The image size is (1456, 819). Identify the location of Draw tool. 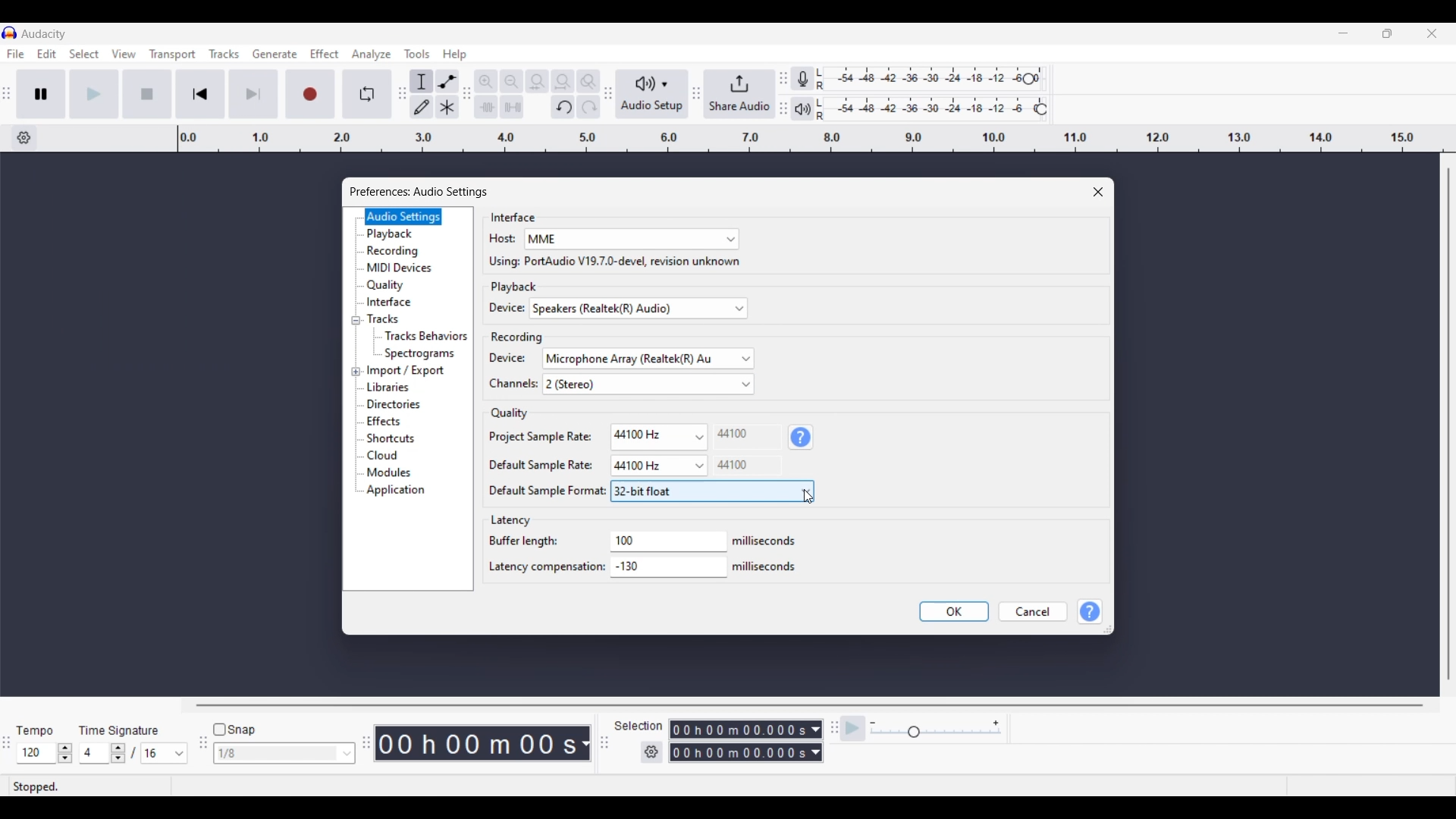
(422, 107).